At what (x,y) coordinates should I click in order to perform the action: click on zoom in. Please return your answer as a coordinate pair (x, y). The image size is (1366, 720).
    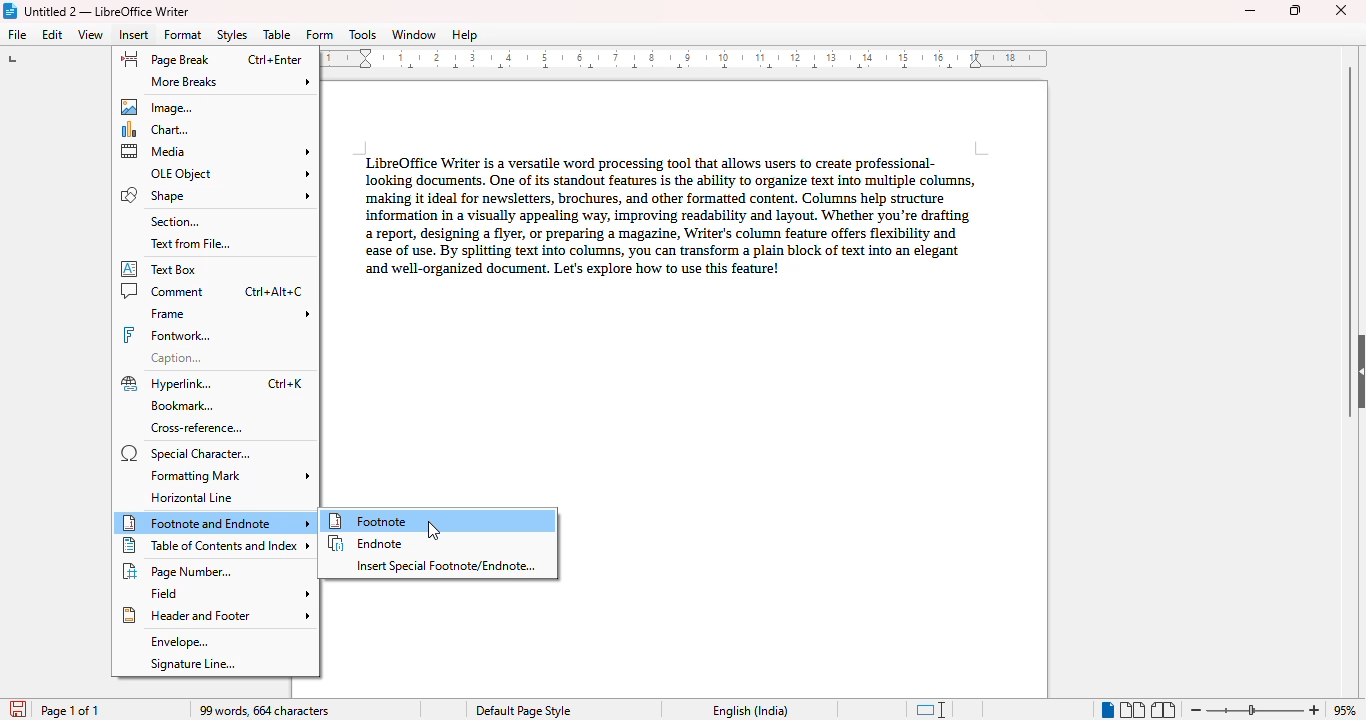
    Looking at the image, I should click on (1315, 709).